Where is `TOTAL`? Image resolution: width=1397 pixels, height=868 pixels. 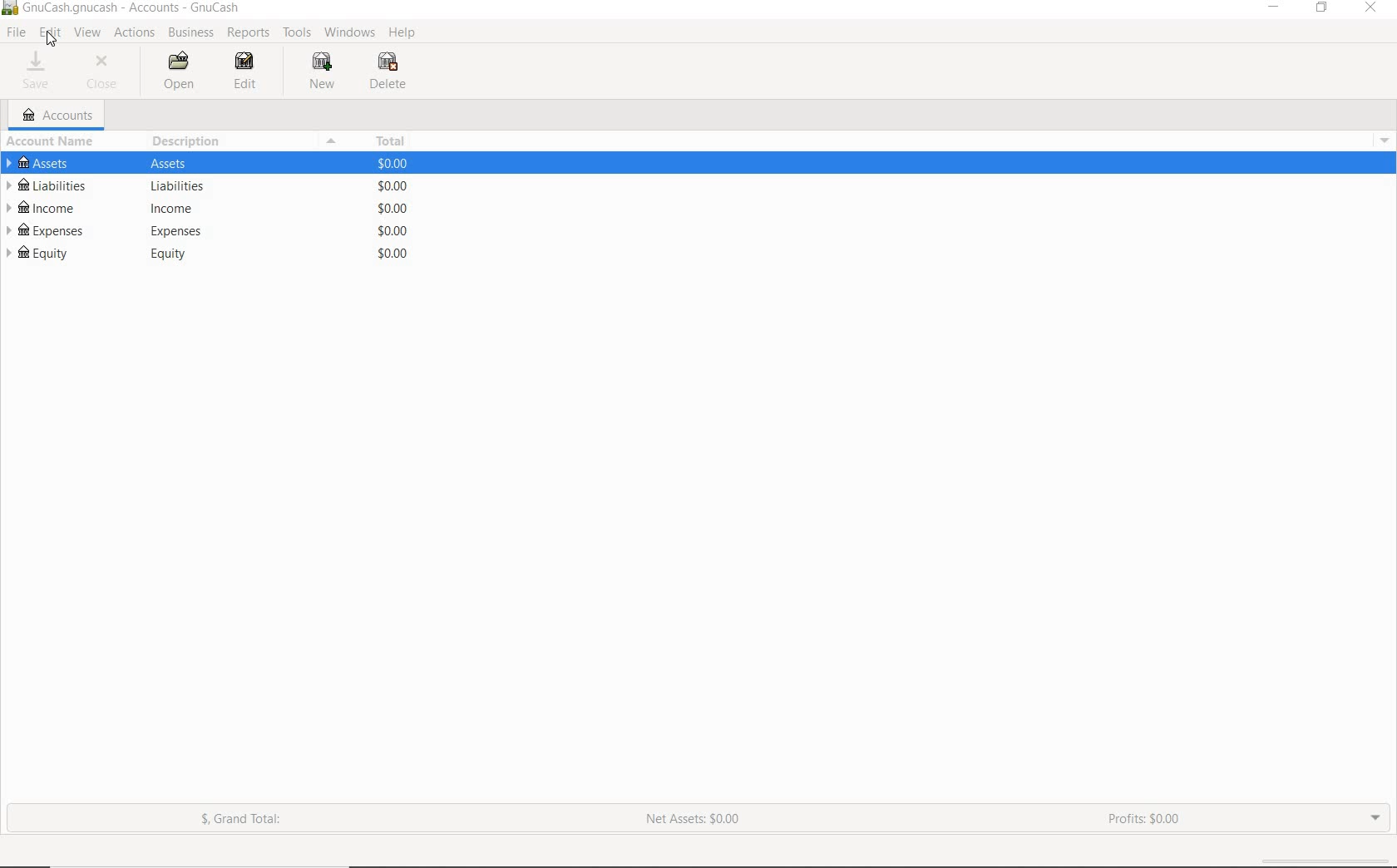 TOTAL is located at coordinates (388, 140).